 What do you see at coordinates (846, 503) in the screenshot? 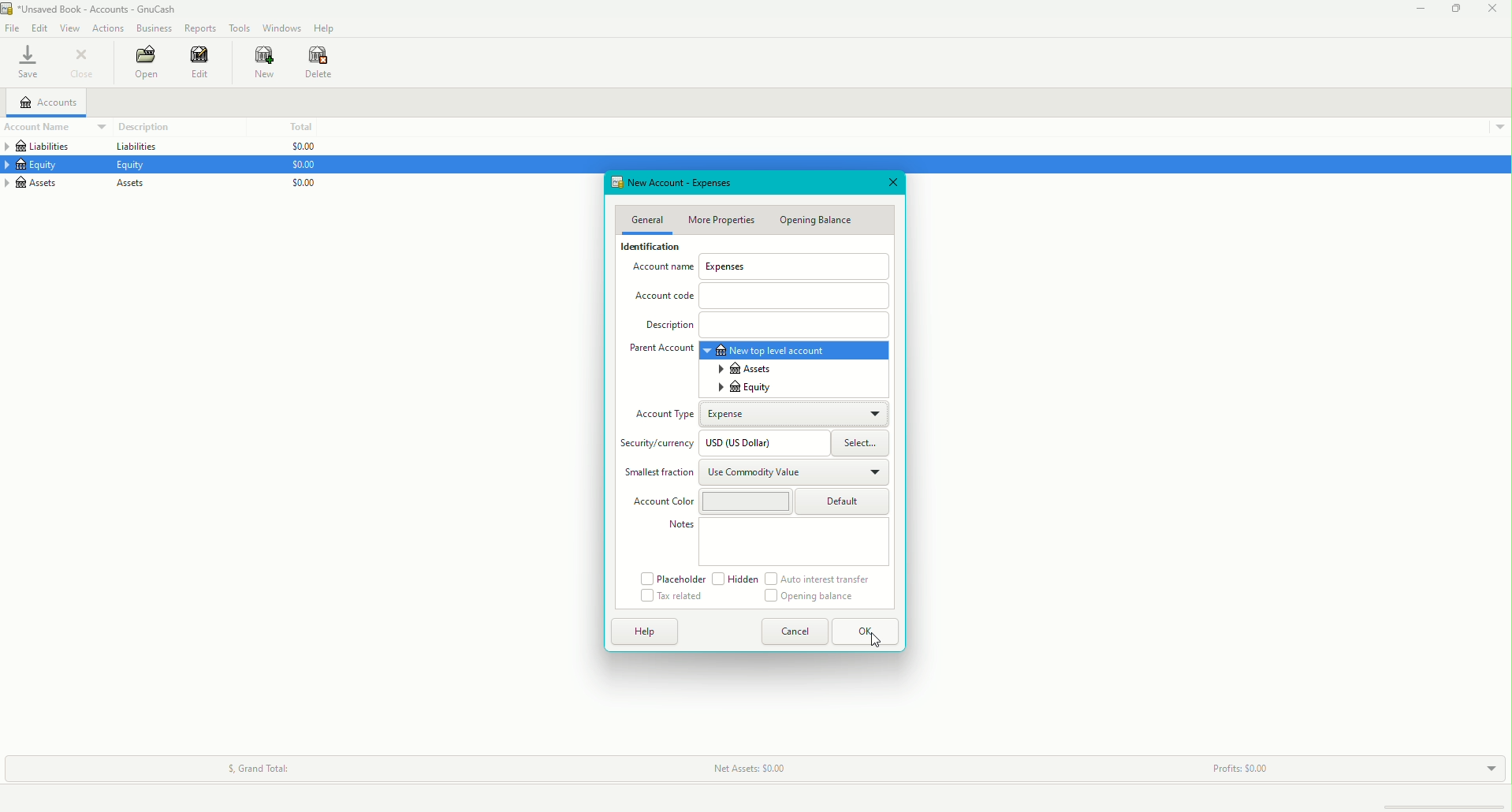
I see `Trading` at bounding box center [846, 503].